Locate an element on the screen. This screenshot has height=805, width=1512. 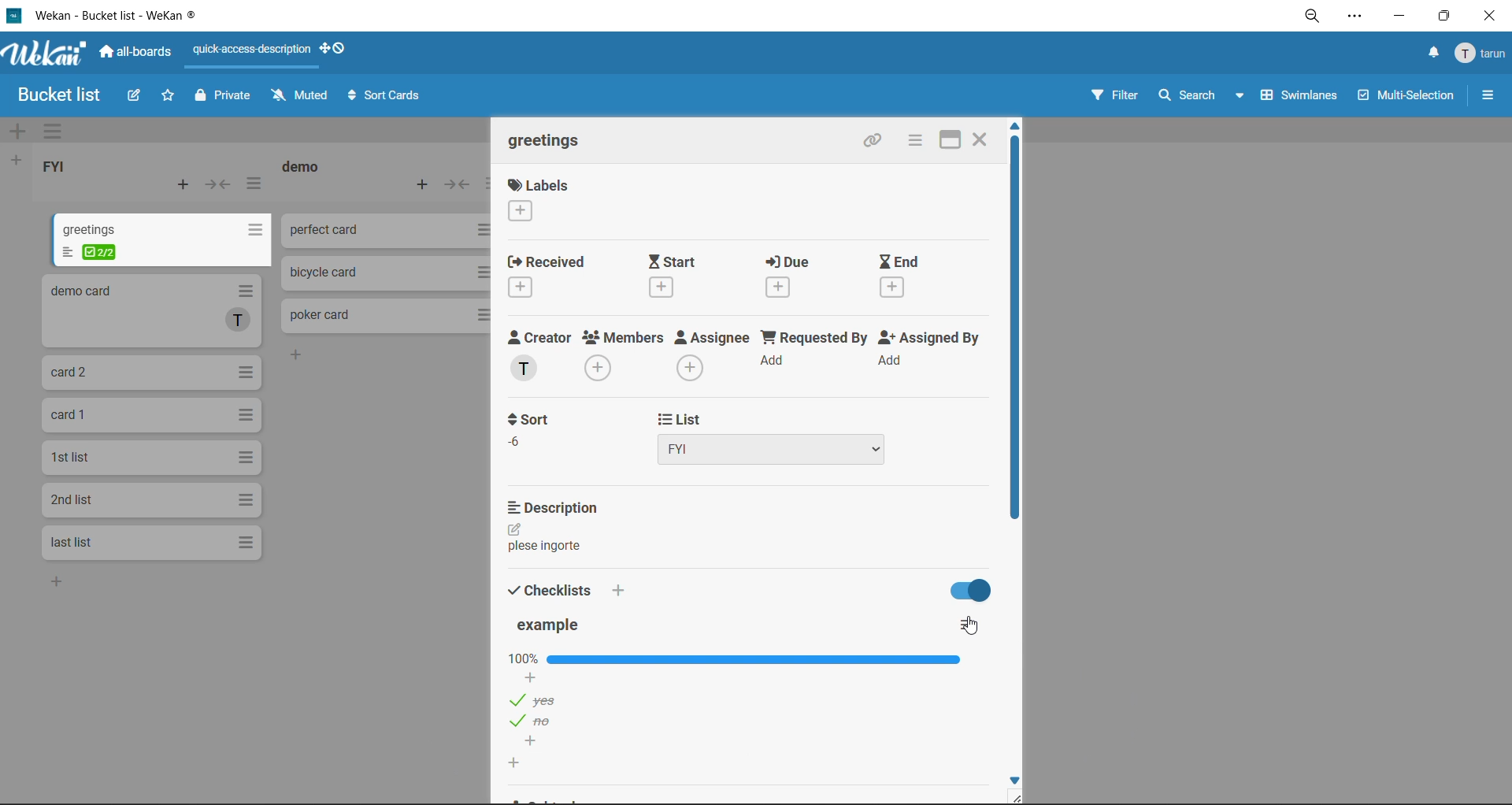
settings is located at coordinates (1359, 17).